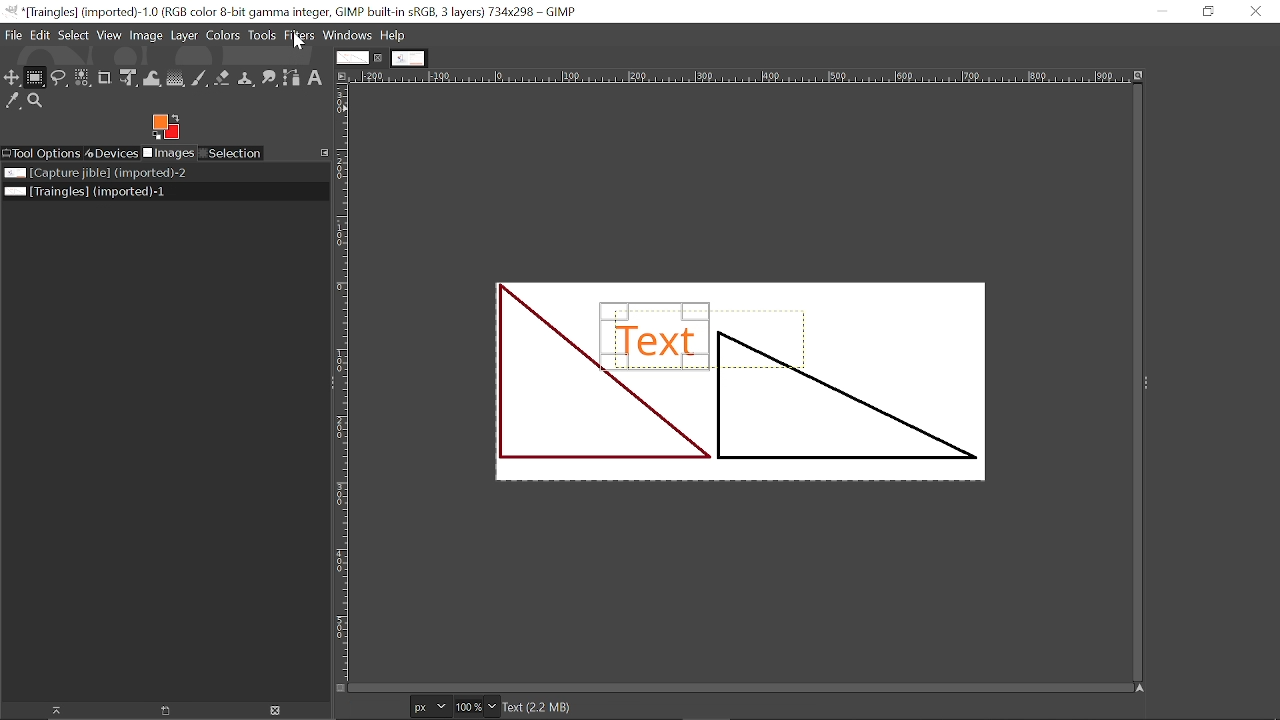  Describe the element at coordinates (37, 100) in the screenshot. I see `Zoom tool` at that location.